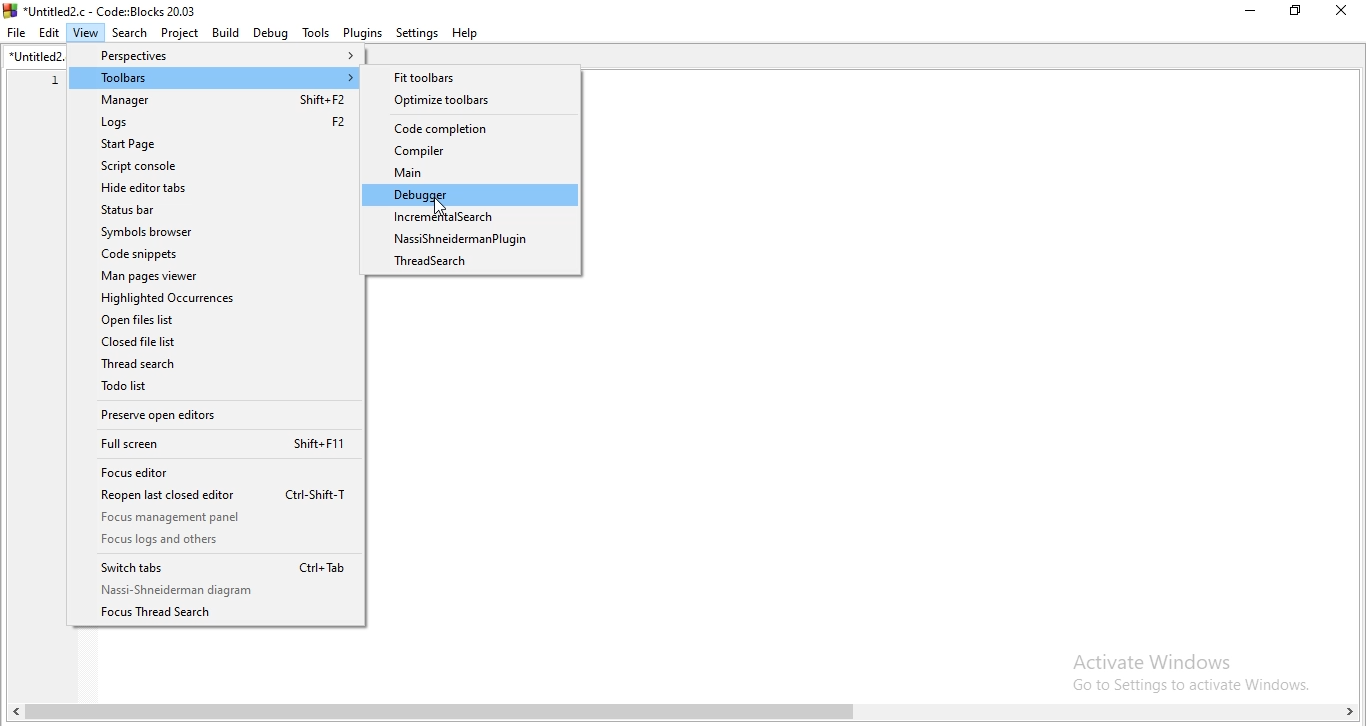 The width and height of the screenshot is (1366, 726). Describe the element at coordinates (362, 32) in the screenshot. I see `plugins` at that location.